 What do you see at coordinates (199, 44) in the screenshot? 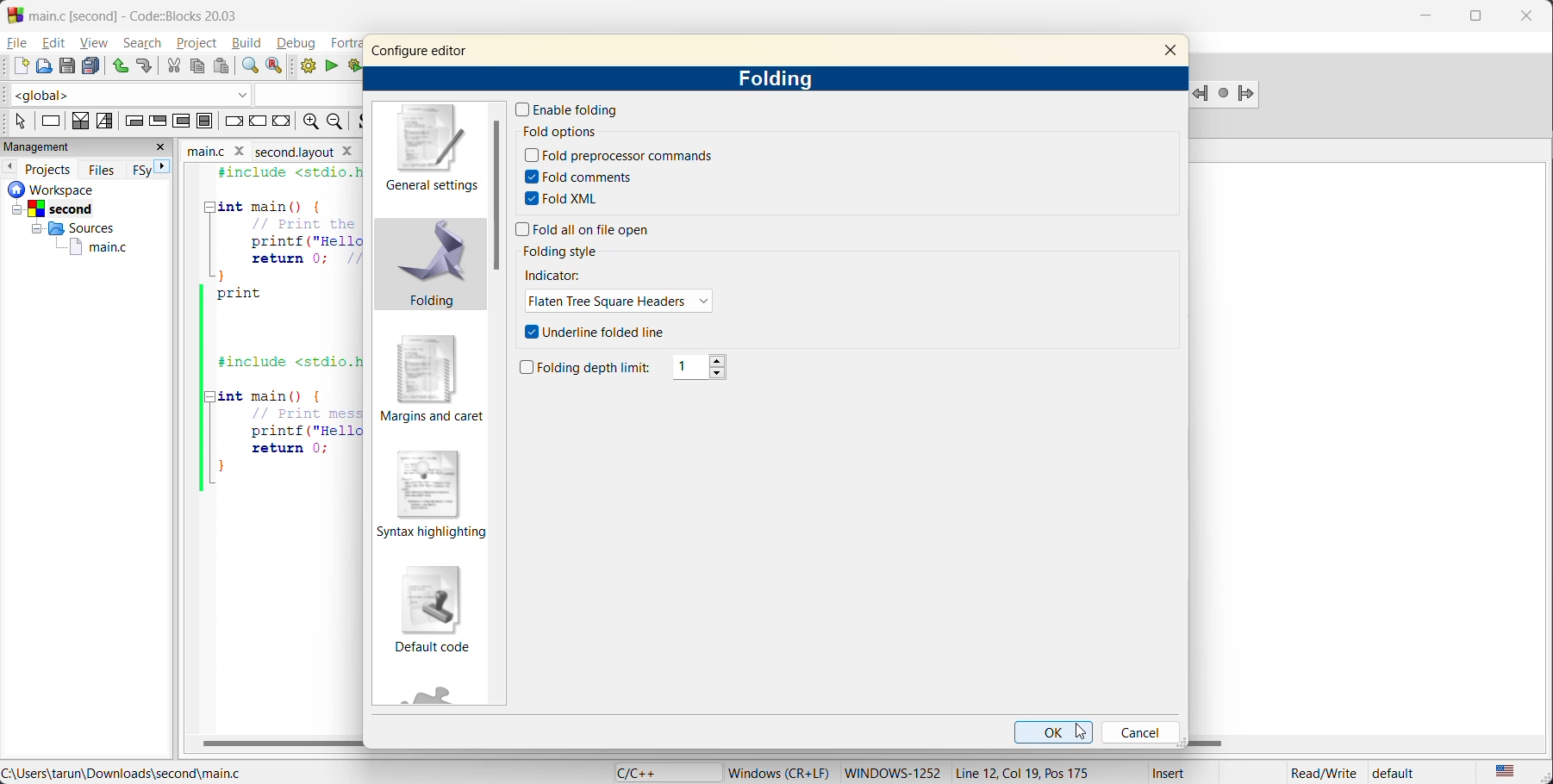
I see `project` at bounding box center [199, 44].